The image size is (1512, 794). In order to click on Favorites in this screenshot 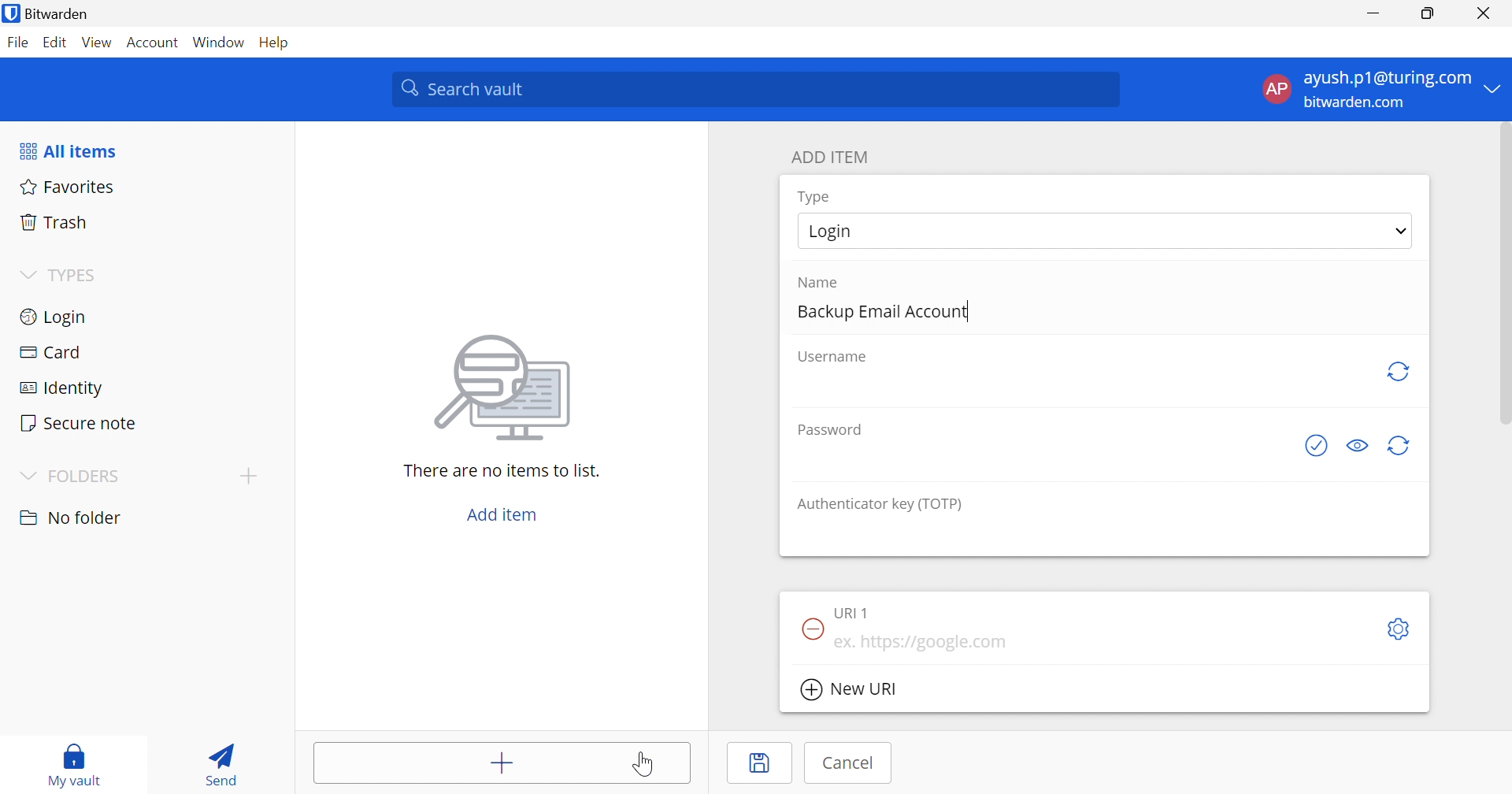, I will do `click(69, 186)`.